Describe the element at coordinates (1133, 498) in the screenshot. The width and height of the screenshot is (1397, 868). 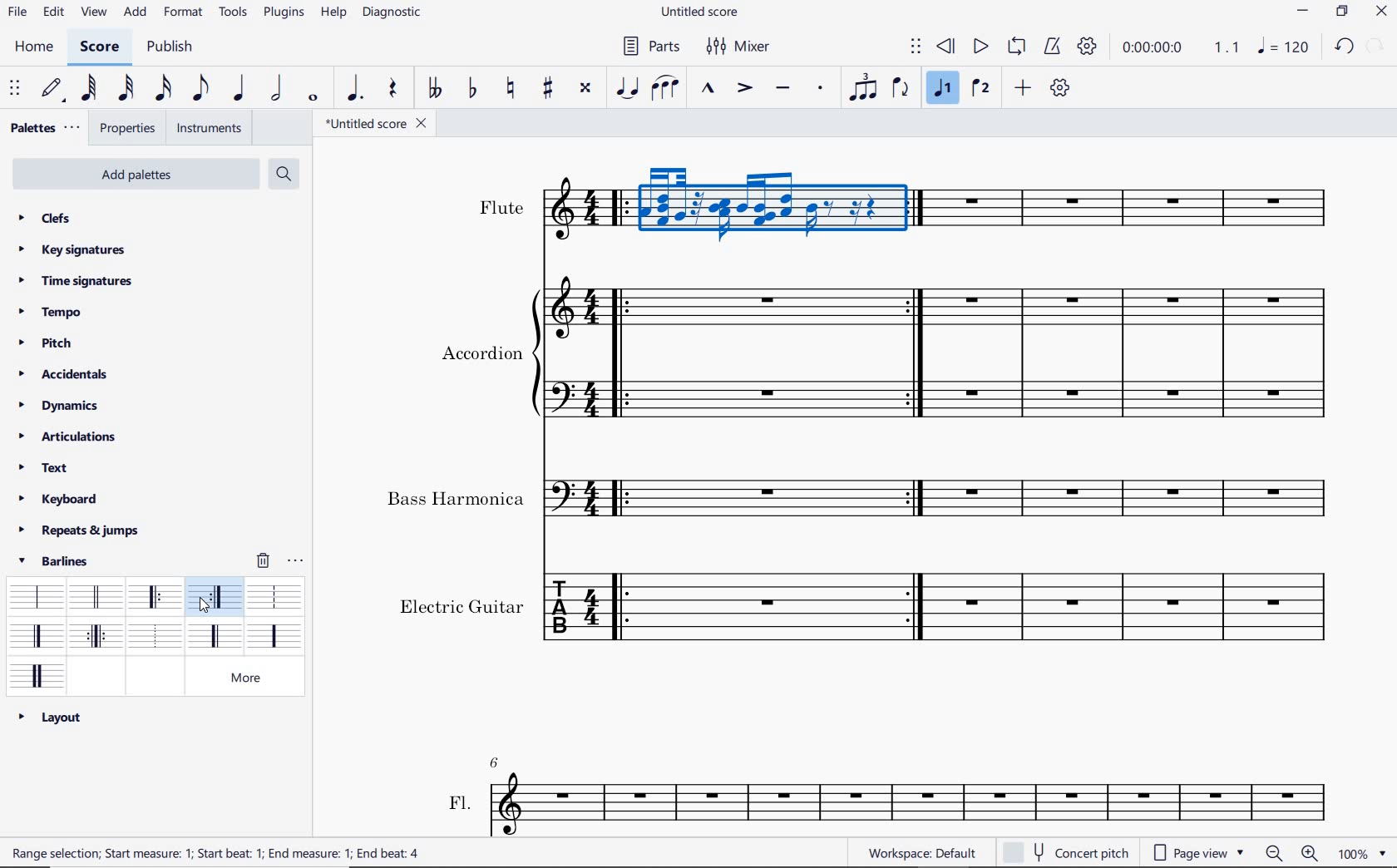
I see `Instrument: Electric guitar` at that location.